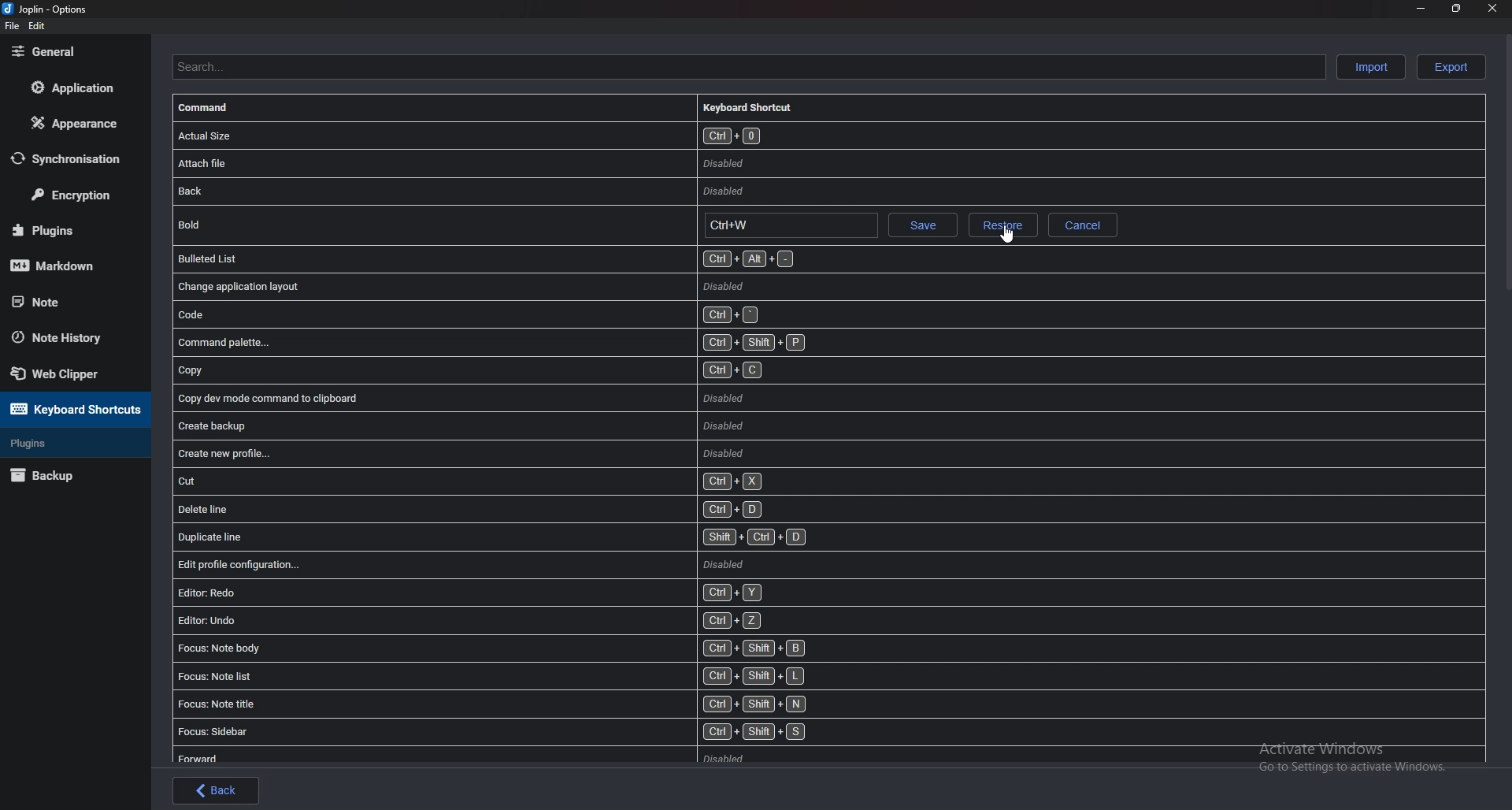 This screenshot has height=810, width=1512. What do you see at coordinates (1505, 166) in the screenshot?
I see `Scroll bar` at bounding box center [1505, 166].